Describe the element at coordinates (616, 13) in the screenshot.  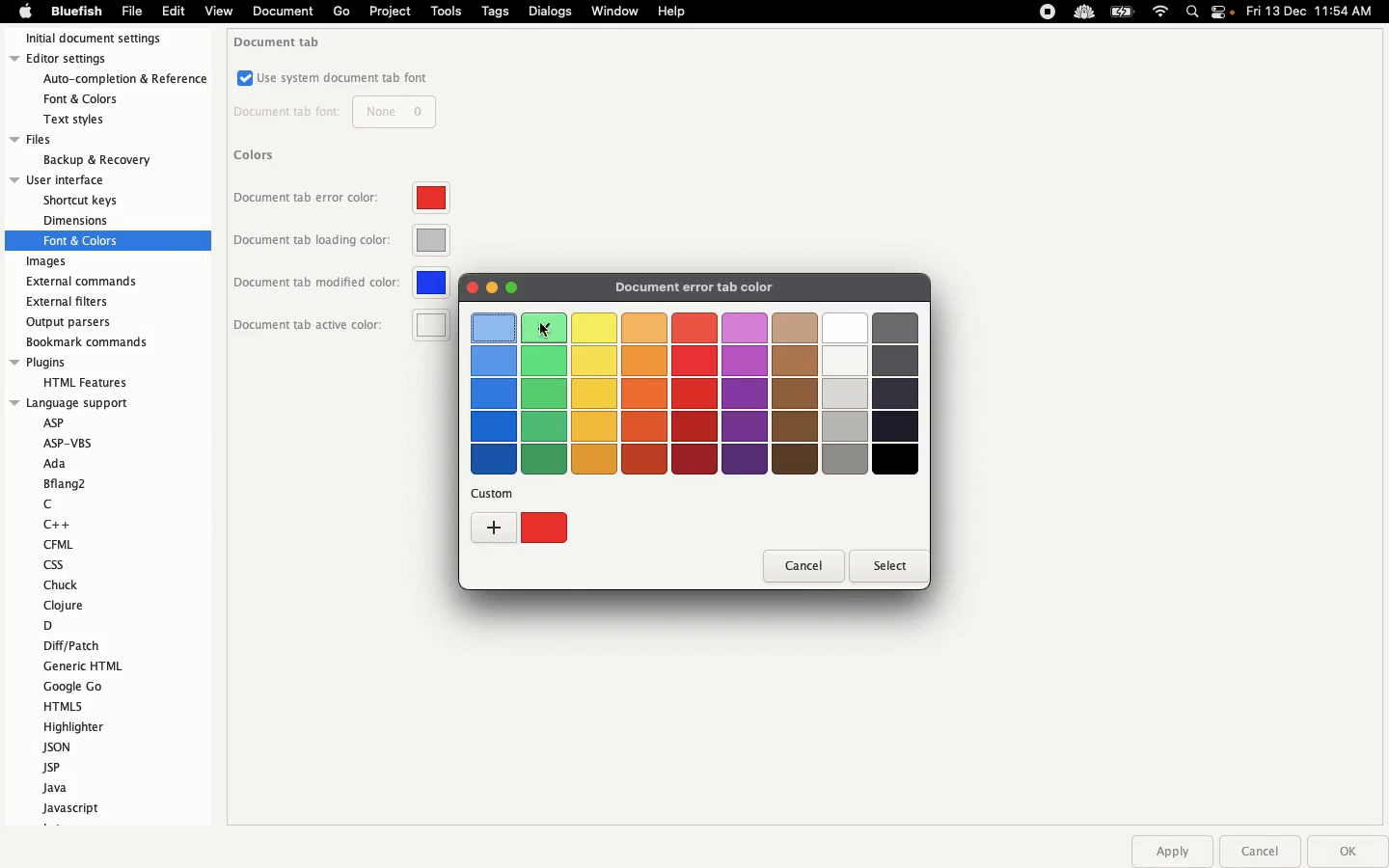
I see `Window` at that location.